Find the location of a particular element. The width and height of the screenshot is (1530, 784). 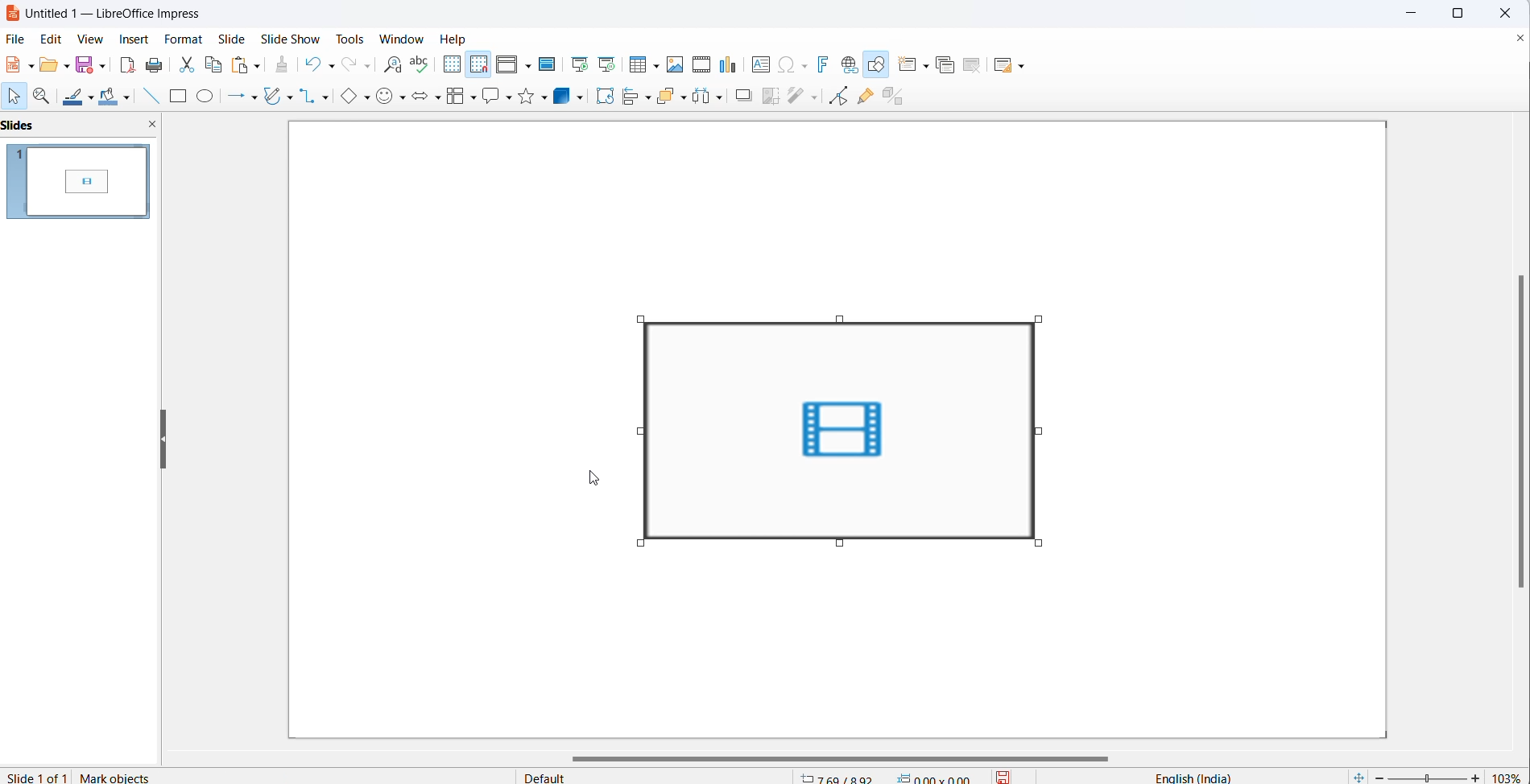

cursor is located at coordinates (593, 481).